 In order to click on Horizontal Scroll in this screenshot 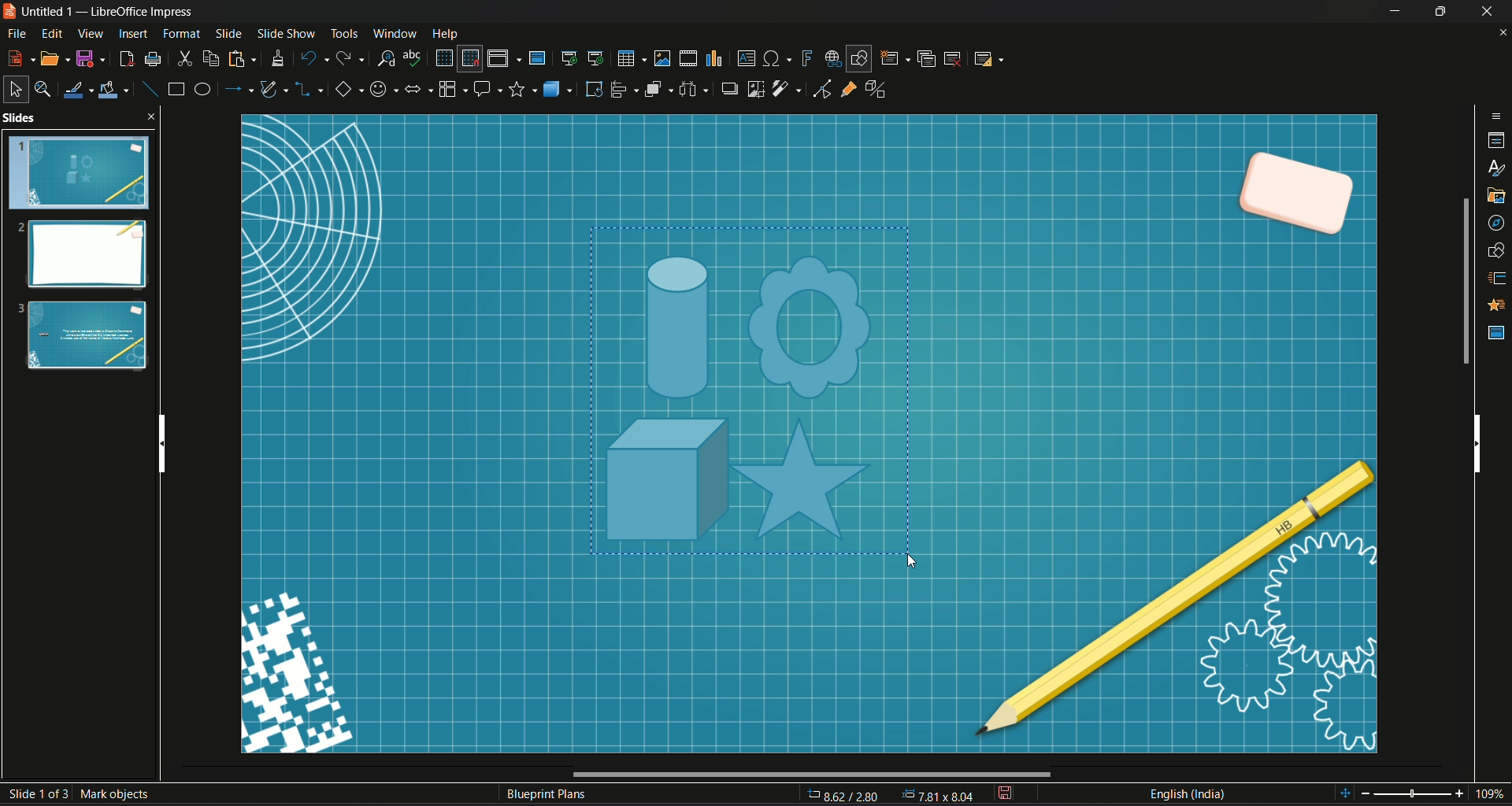, I will do `click(809, 775)`.